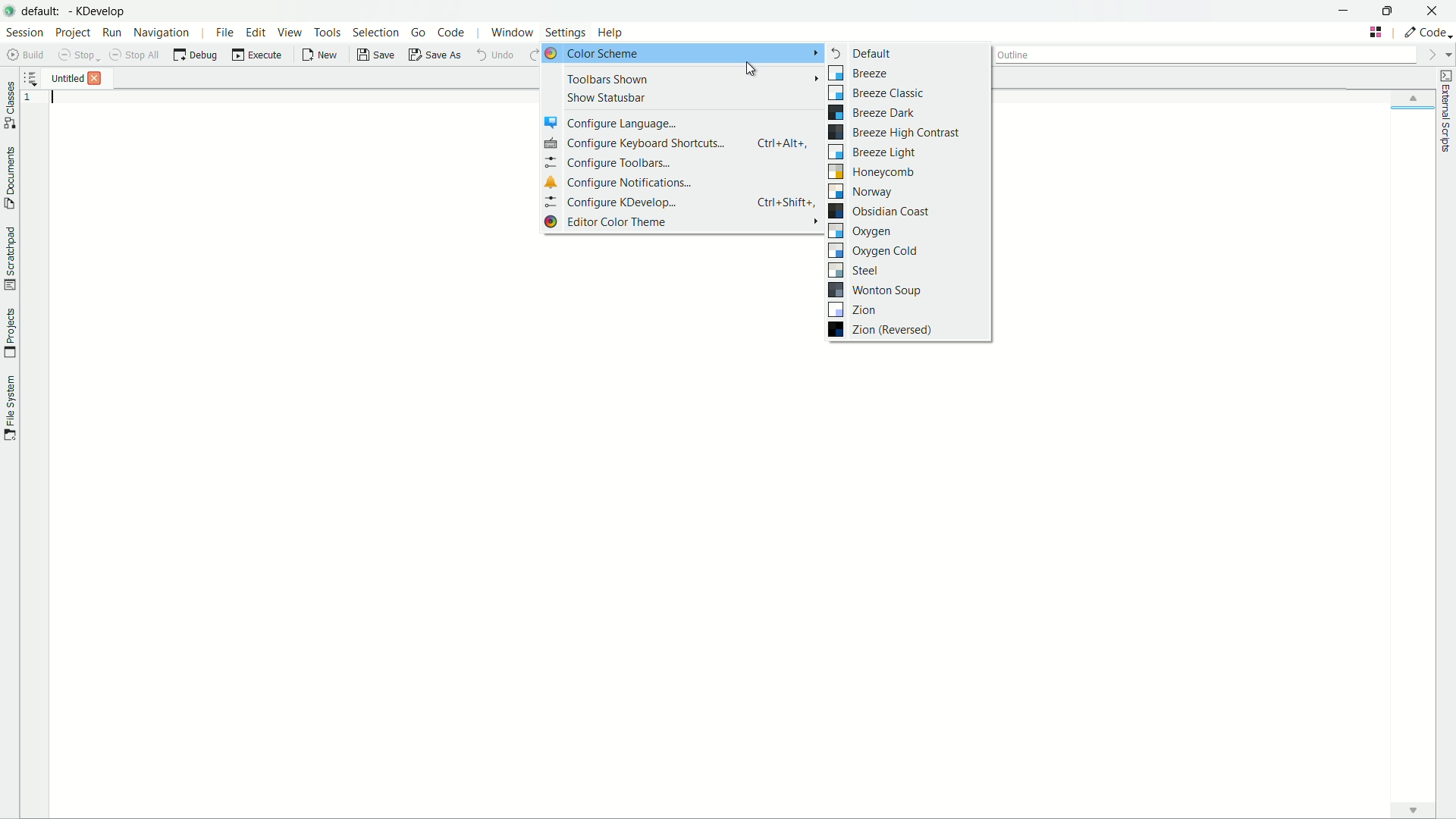 This screenshot has width=1456, height=819. Describe the element at coordinates (435, 55) in the screenshot. I see `save as` at that location.